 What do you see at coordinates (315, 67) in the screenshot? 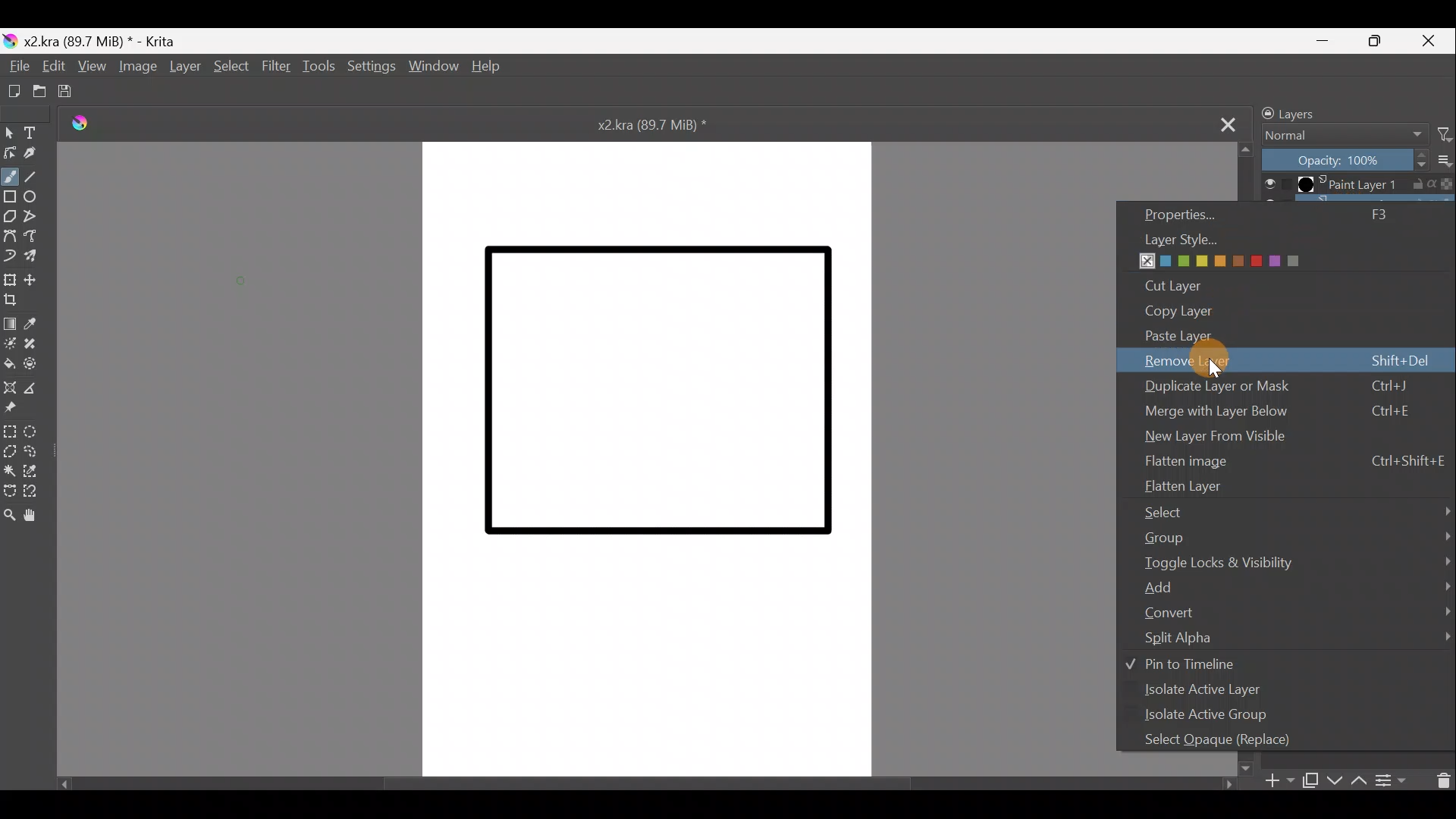
I see `Tools` at bounding box center [315, 67].